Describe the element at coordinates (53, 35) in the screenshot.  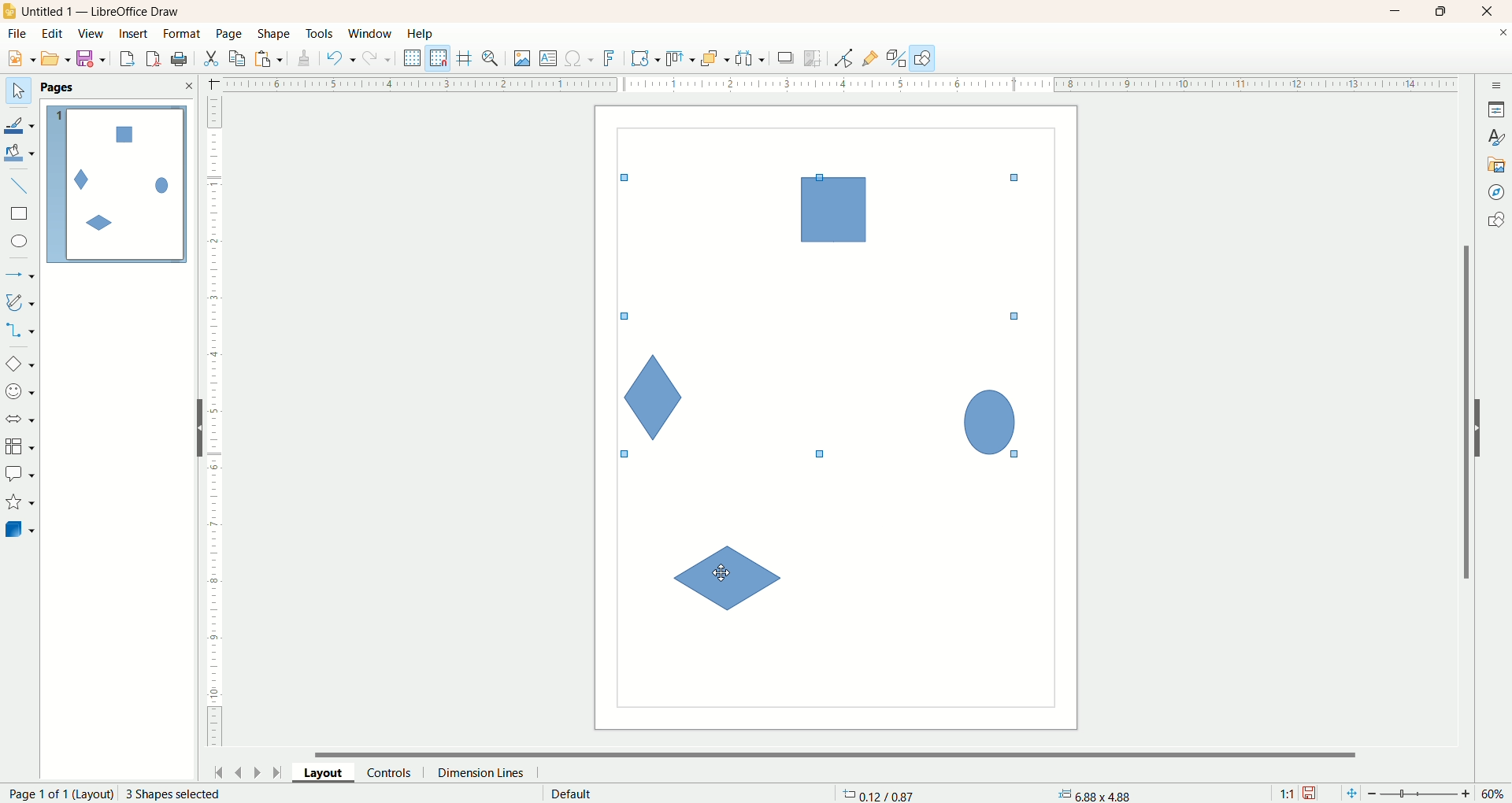
I see `edit` at that location.